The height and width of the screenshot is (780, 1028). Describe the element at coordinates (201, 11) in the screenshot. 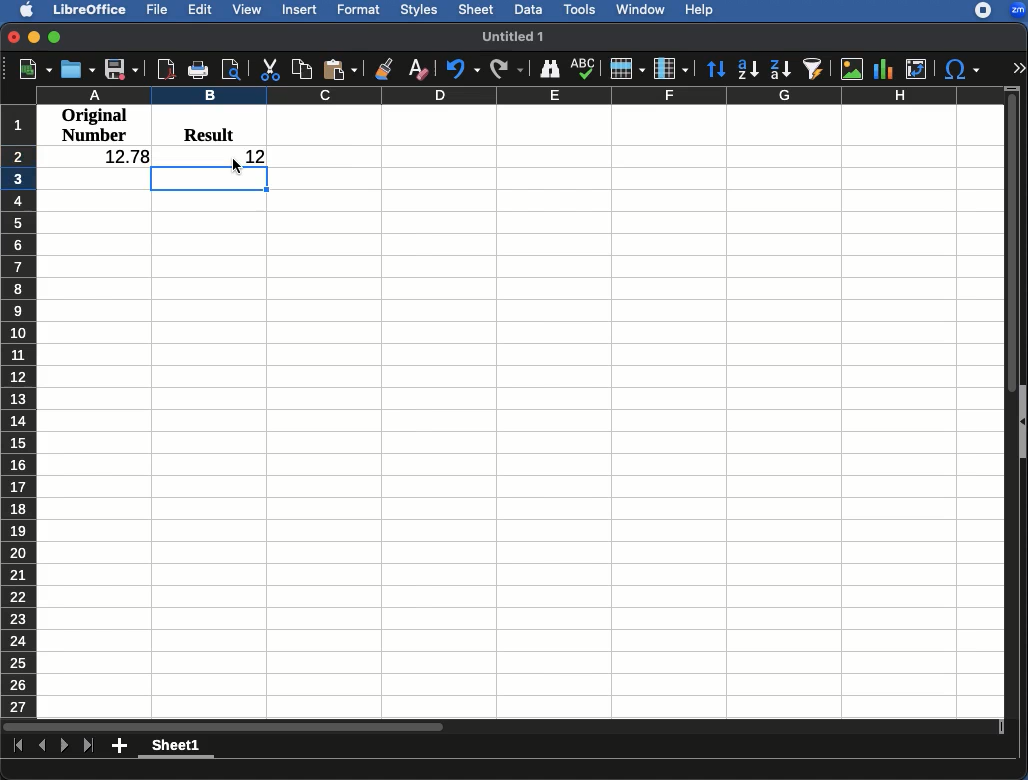

I see `Edit` at that location.